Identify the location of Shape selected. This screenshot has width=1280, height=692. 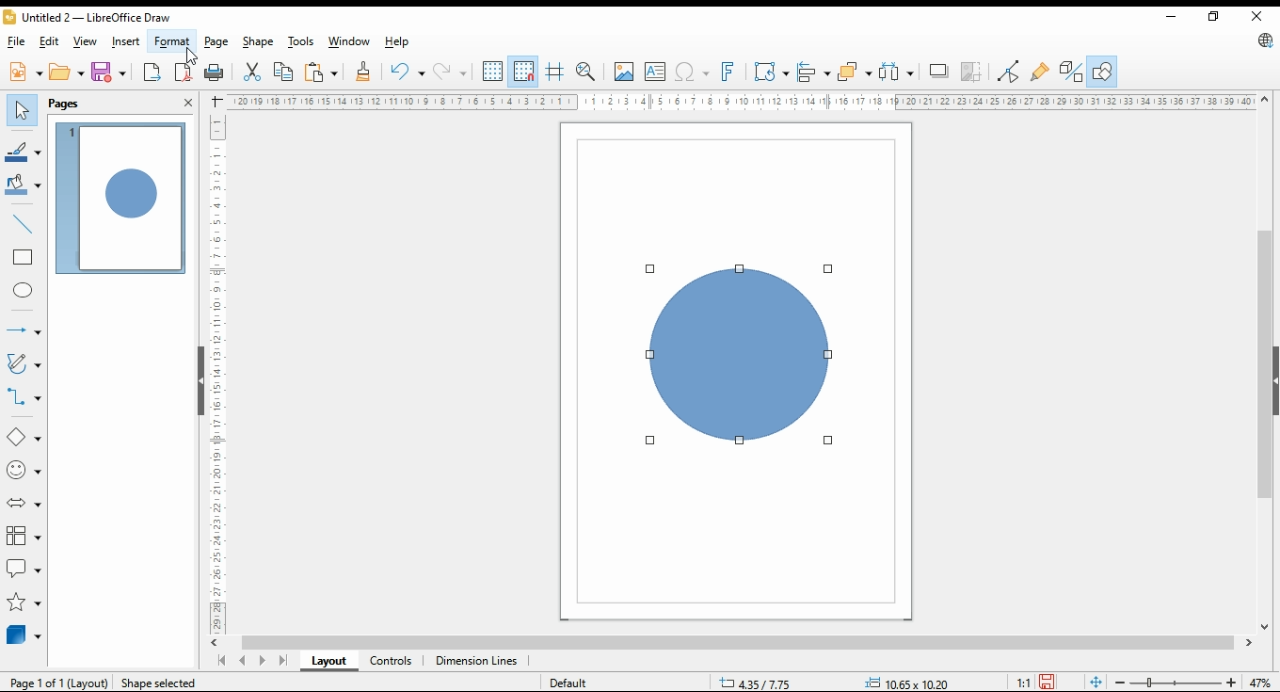
(160, 682).